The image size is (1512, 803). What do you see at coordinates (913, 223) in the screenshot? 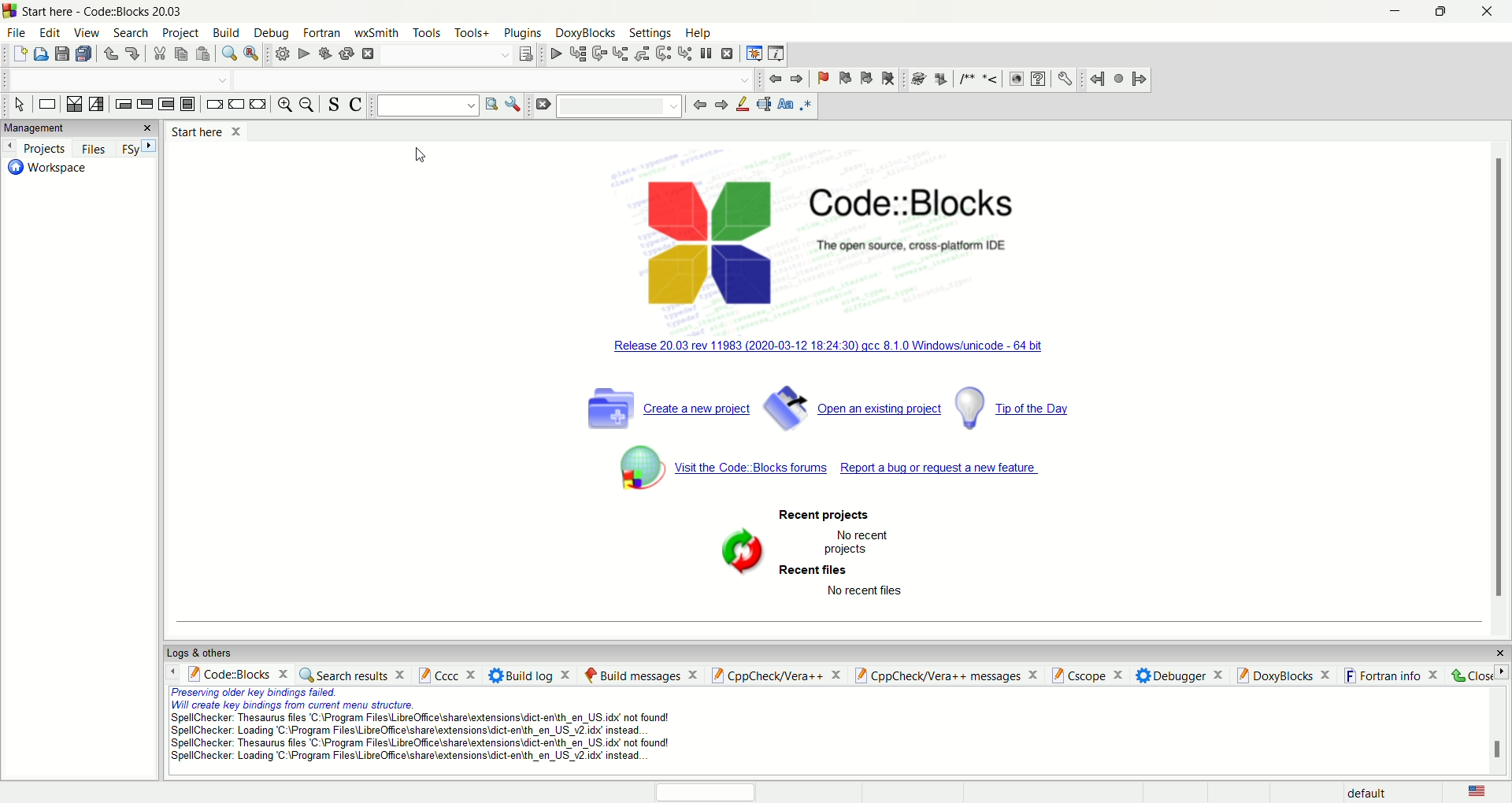
I see `Code::Blocks
The open source, cross-platform IDE` at bounding box center [913, 223].